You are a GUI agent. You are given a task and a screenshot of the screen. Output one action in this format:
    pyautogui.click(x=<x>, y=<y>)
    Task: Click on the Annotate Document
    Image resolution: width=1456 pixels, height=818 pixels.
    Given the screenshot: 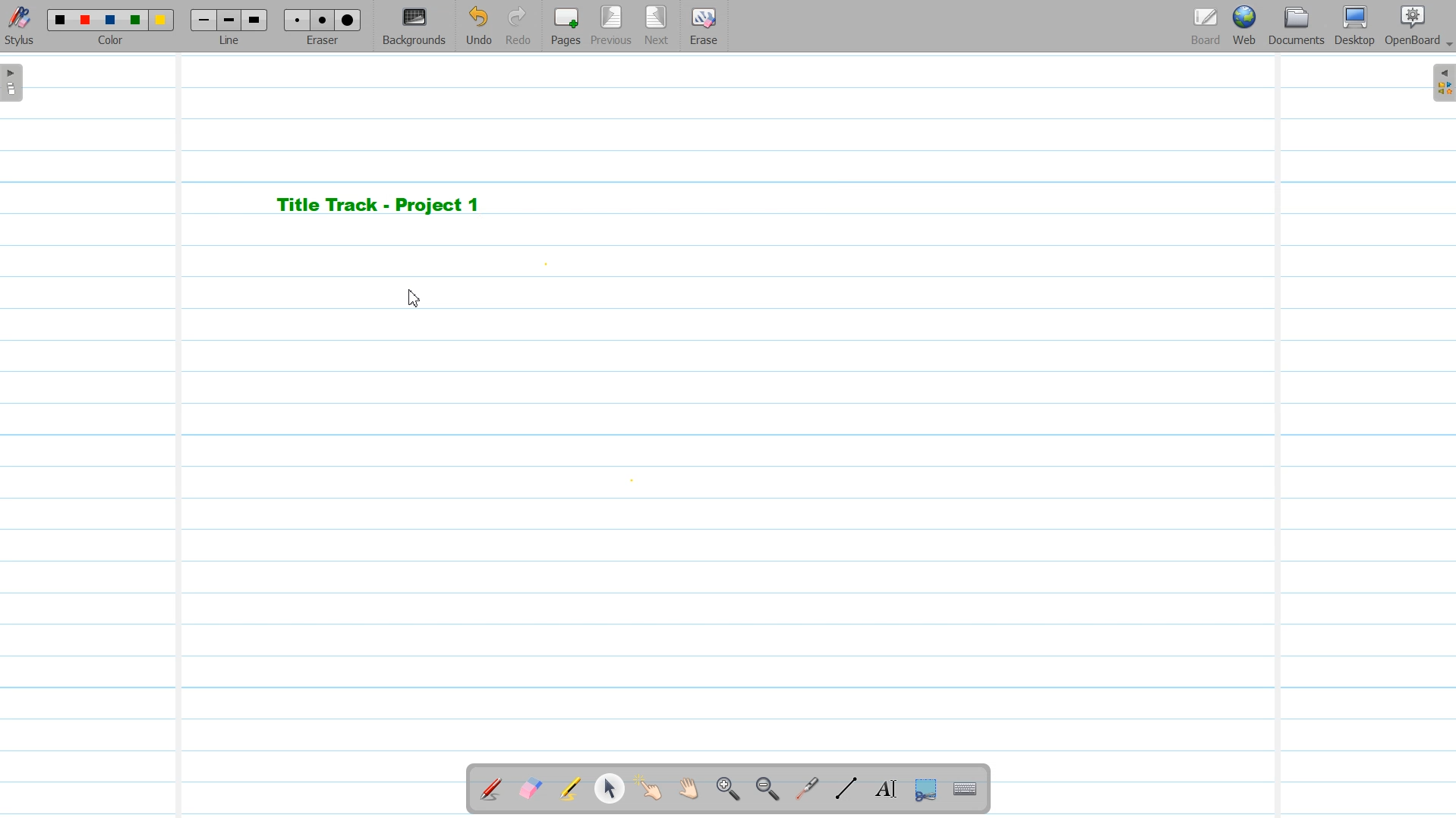 What is the action you would take?
    pyautogui.click(x=491, y=789)
    